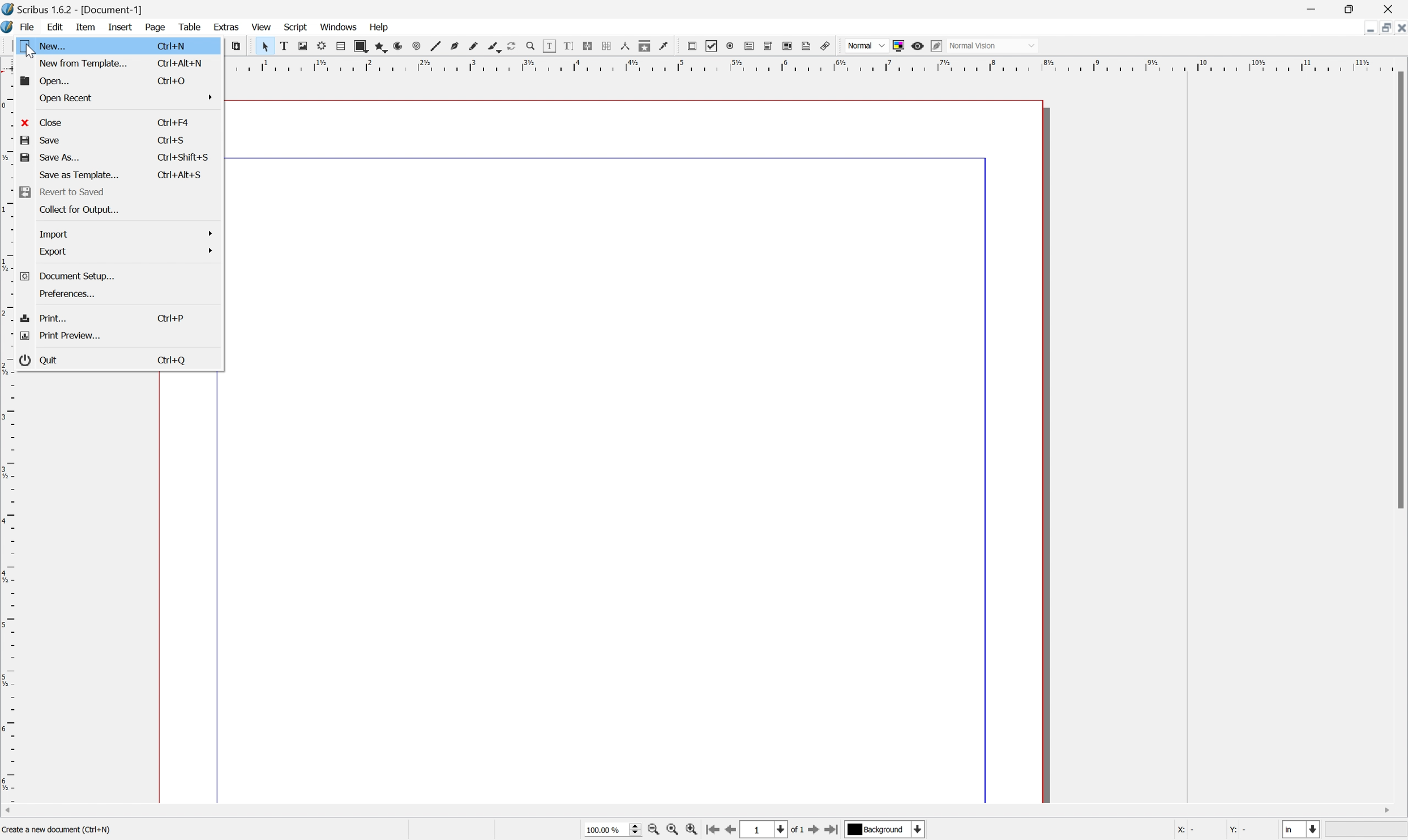 The image size is (1408, 840). Describe the element at coordinates (9, 28) in the screenshot. I see `Scribus icon` at that location.